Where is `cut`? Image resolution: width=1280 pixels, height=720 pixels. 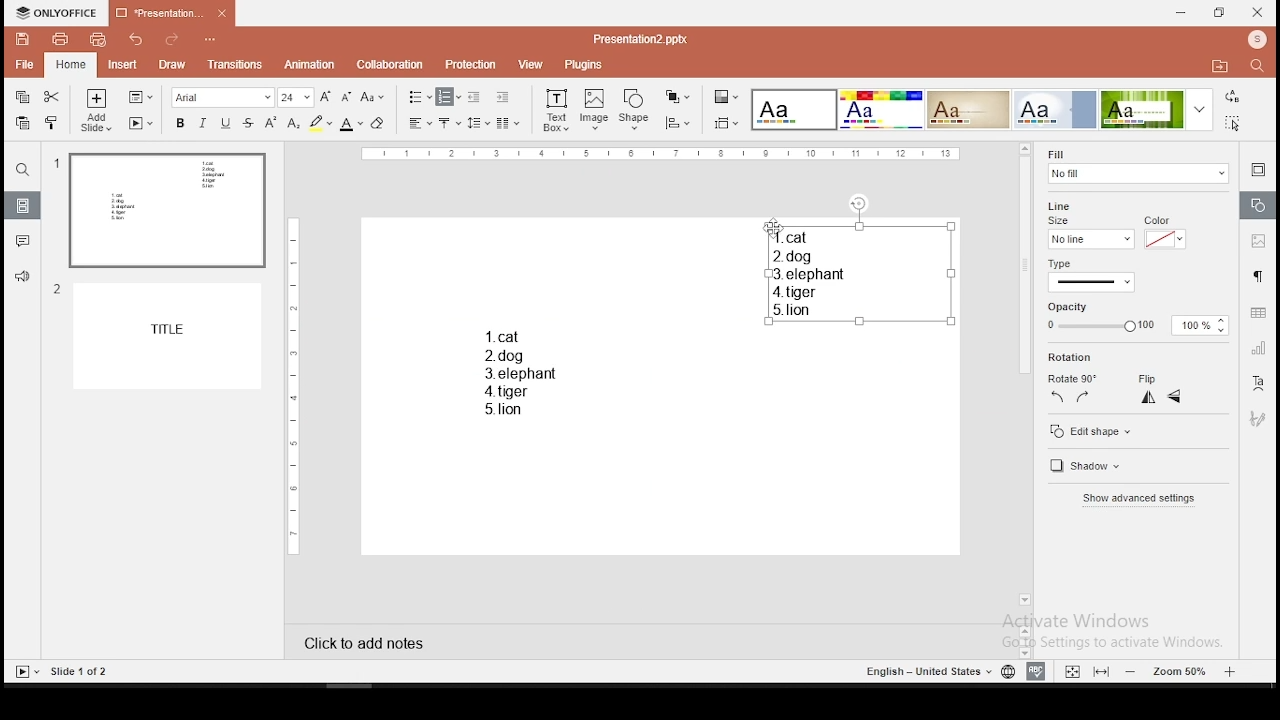
cut is located at coordinates (54, 95).